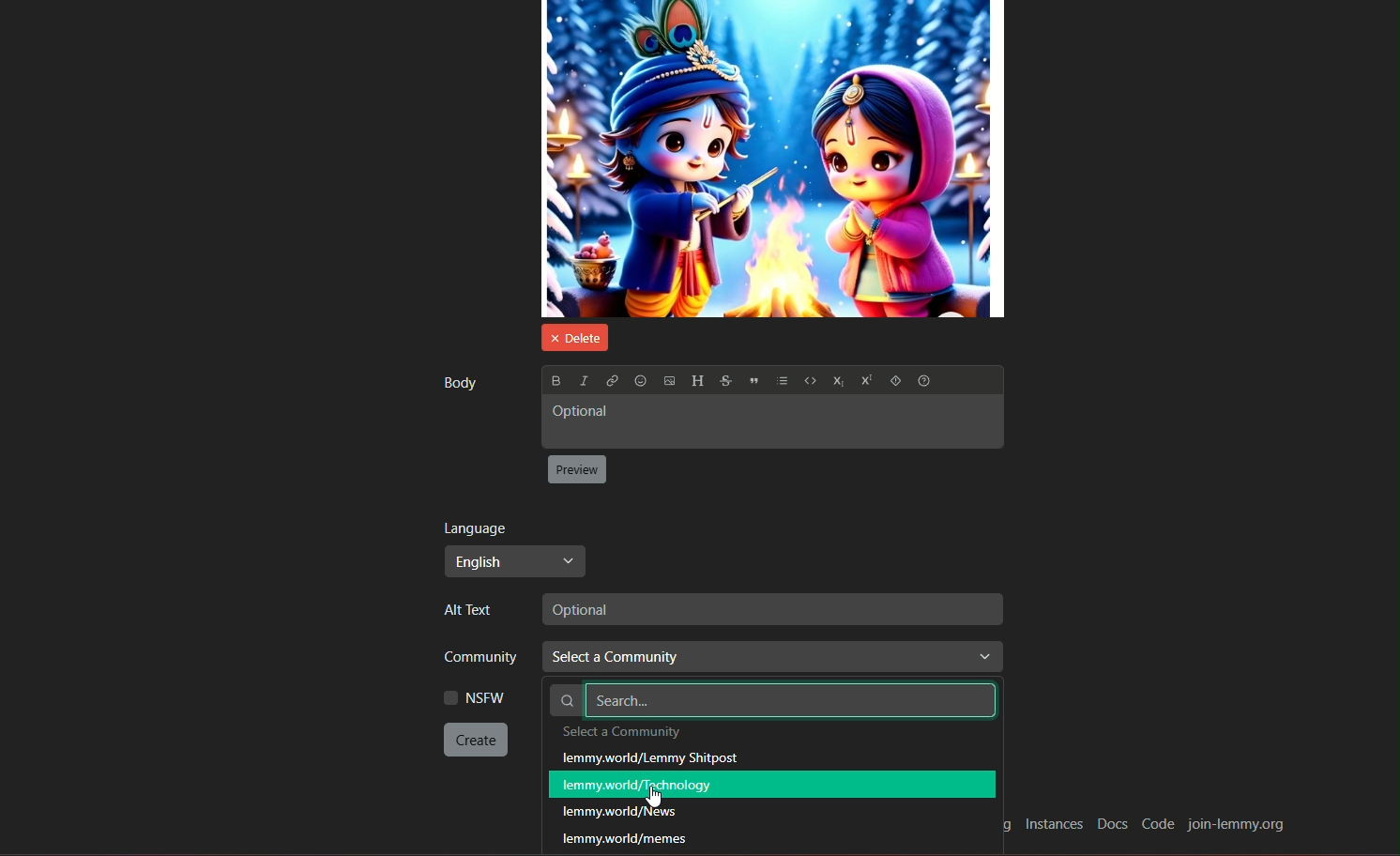 The image size is (1400, 856). Describe the element at coordinates (474, 611) in the screenshot. I see `Alt Text` at that location.